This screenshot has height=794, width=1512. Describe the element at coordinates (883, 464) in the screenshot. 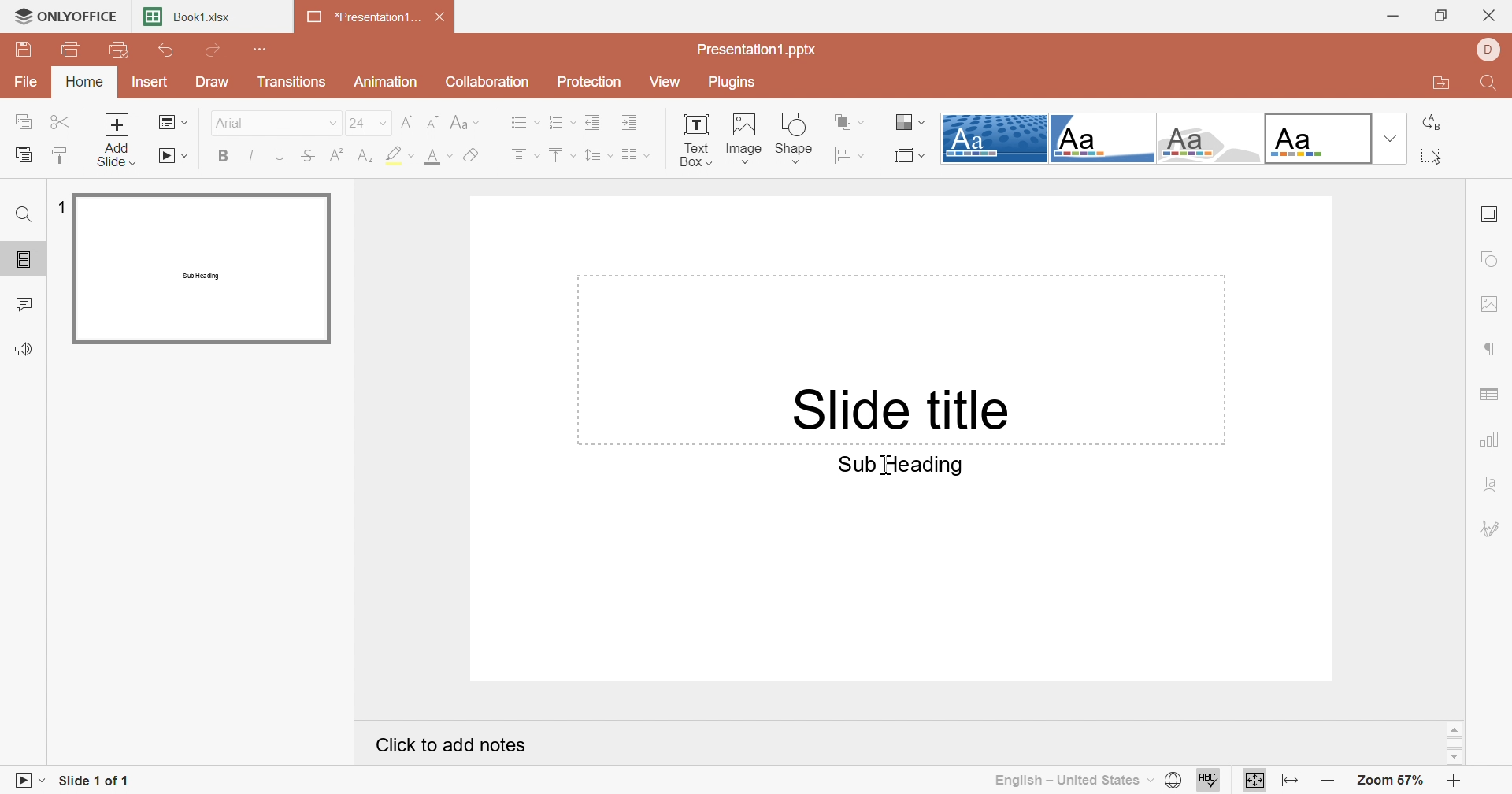

I see `Cursor` at that location.